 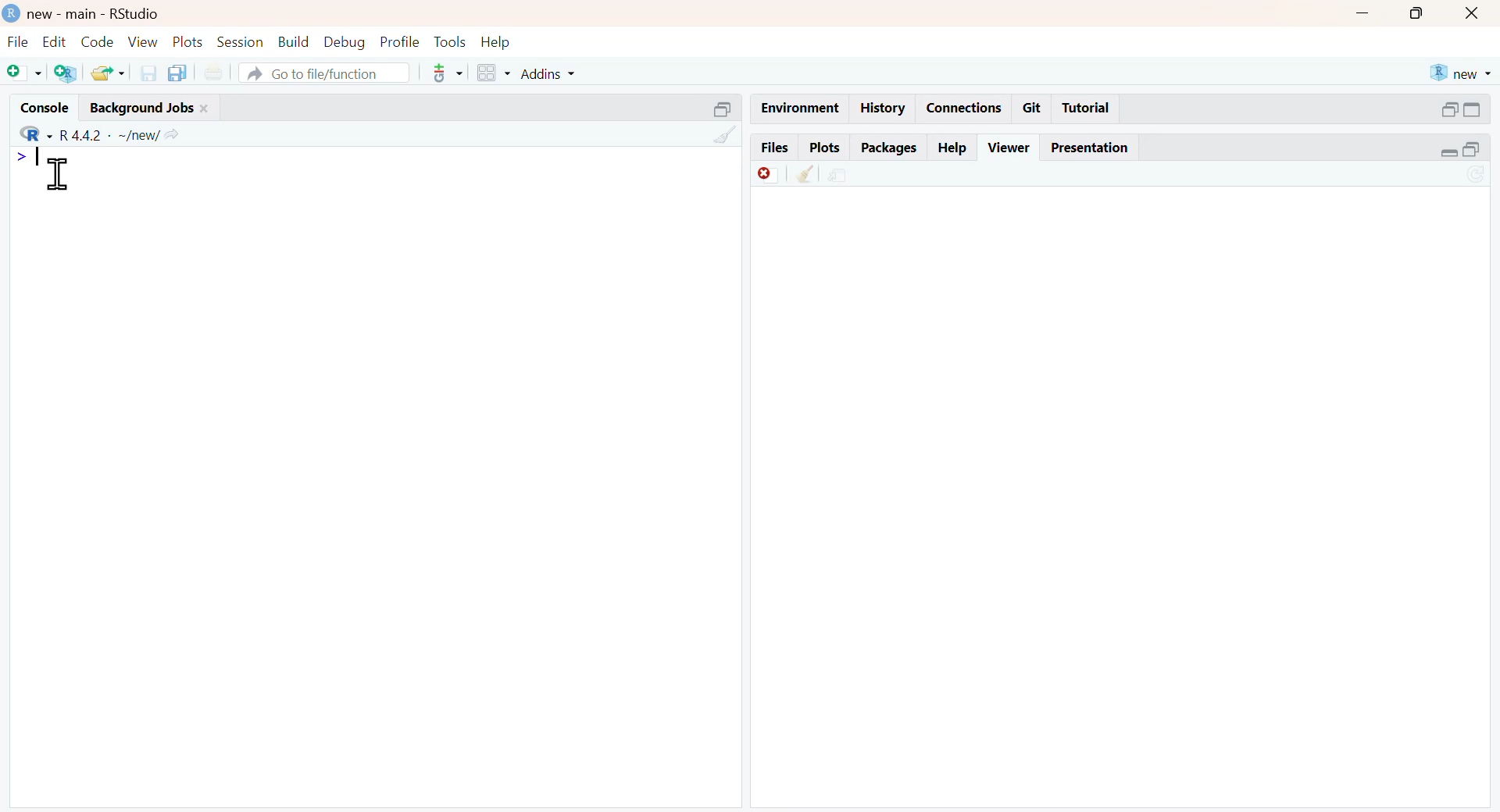 I want to click on code, so click(x=97, y=41).